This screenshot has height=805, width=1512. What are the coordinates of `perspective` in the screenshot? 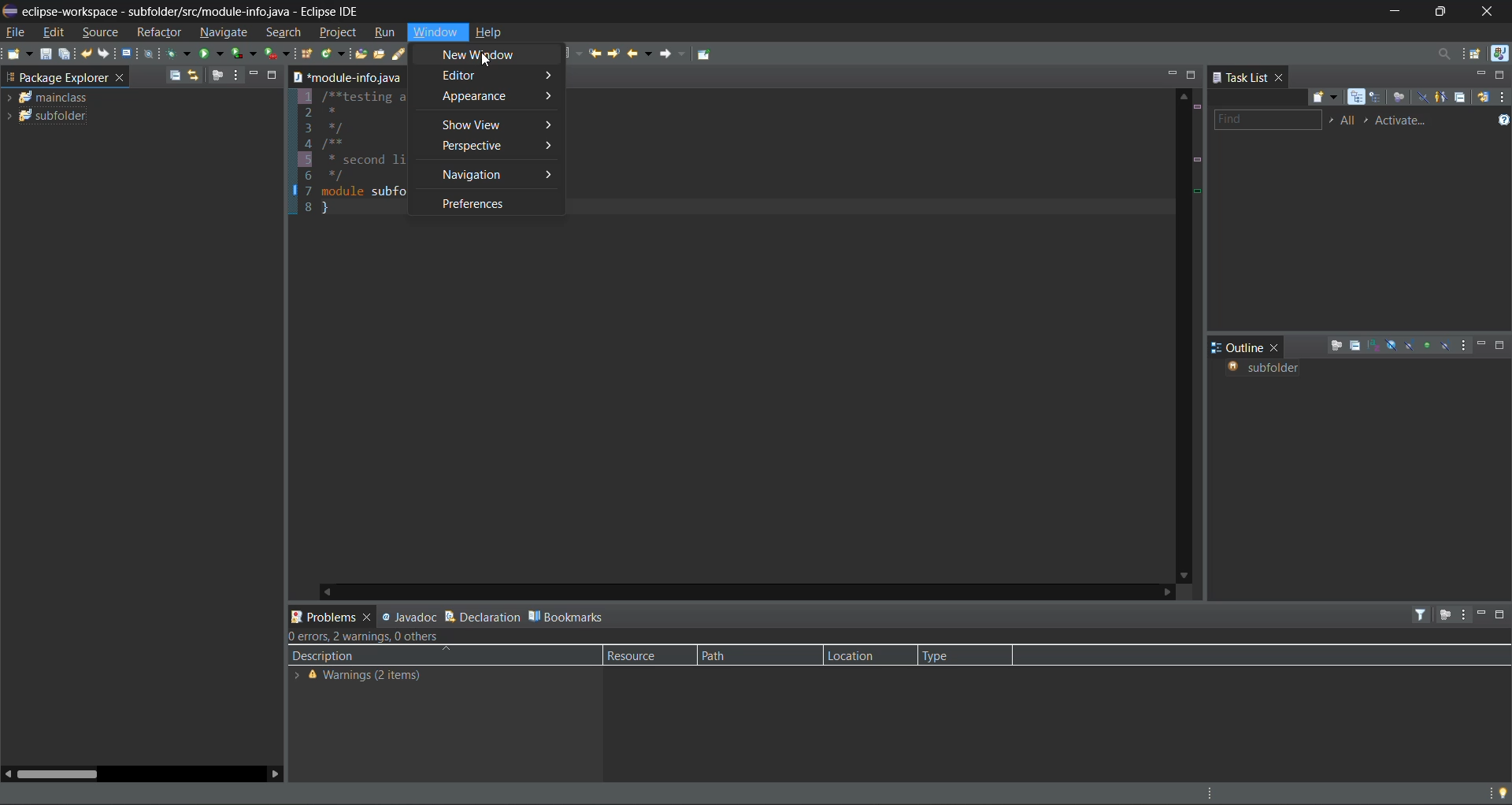 It's located at (496, 148).